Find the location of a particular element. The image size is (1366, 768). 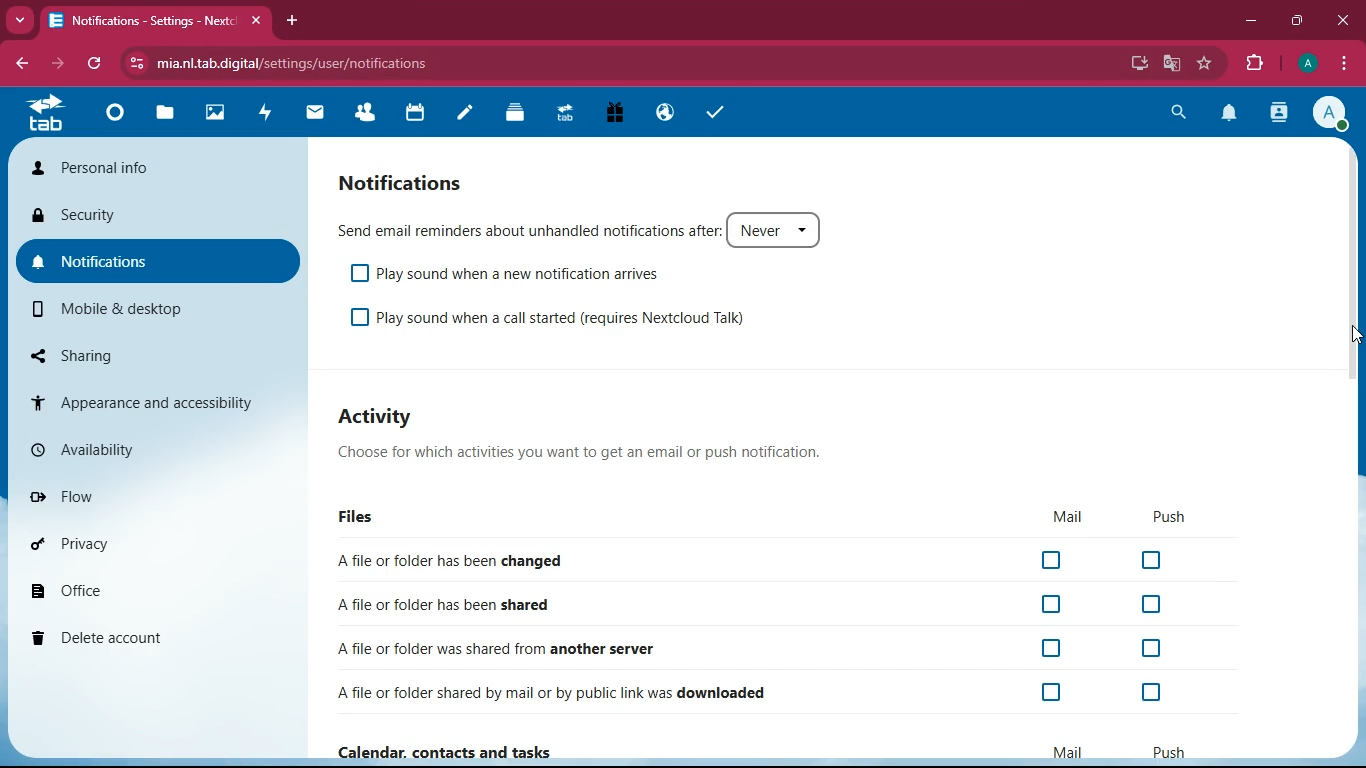

off is located at coordinates (1053, 559).